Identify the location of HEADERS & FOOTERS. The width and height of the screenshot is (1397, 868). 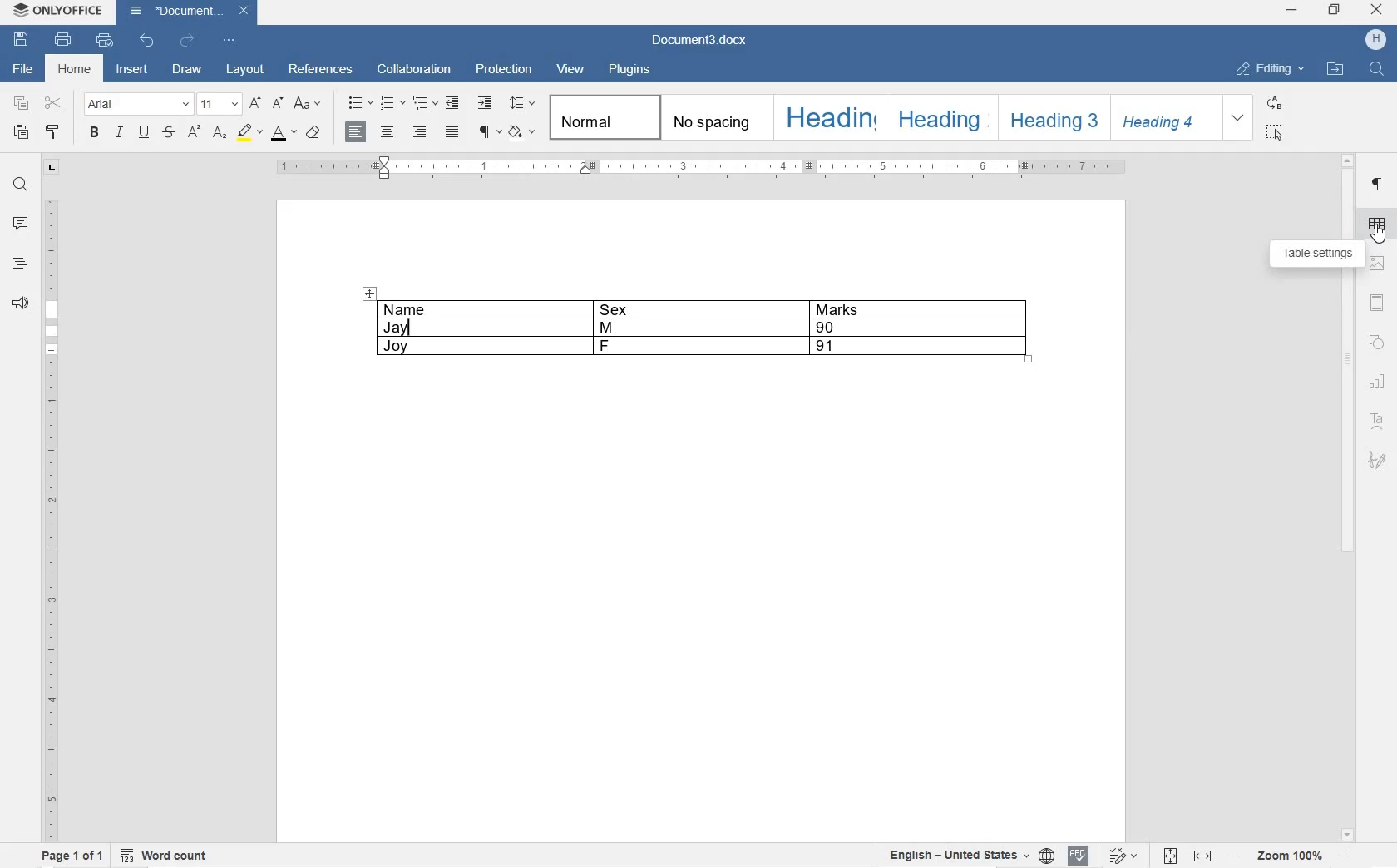
(1377, 301).